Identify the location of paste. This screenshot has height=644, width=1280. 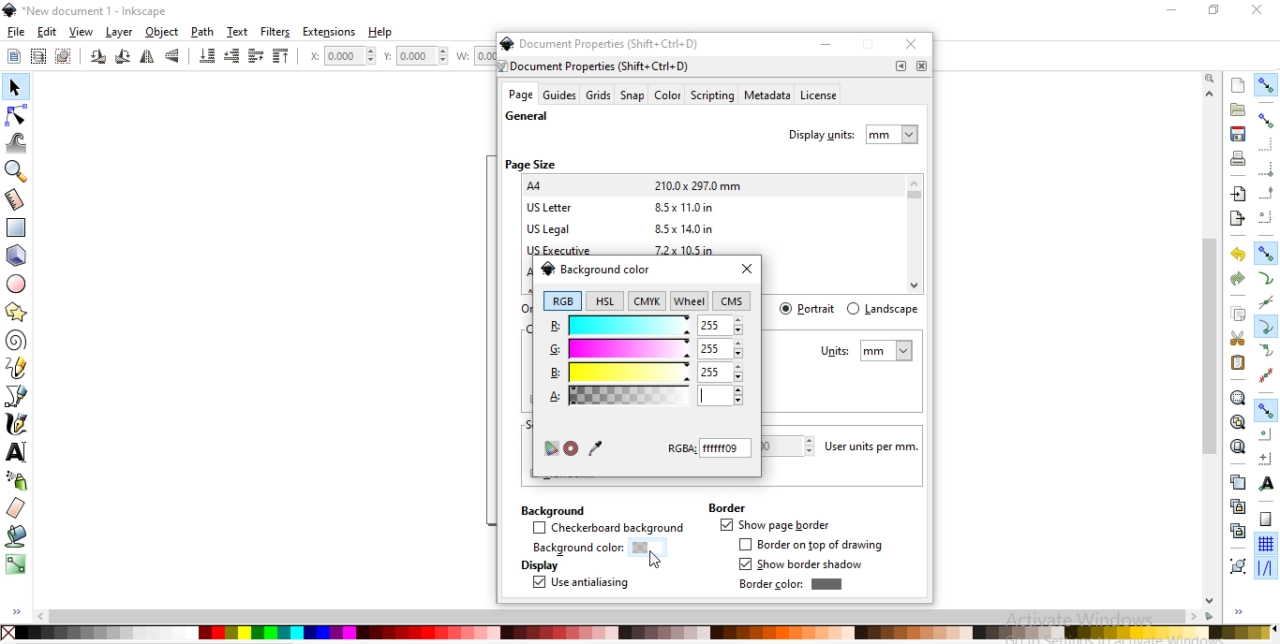
(1238, 363).